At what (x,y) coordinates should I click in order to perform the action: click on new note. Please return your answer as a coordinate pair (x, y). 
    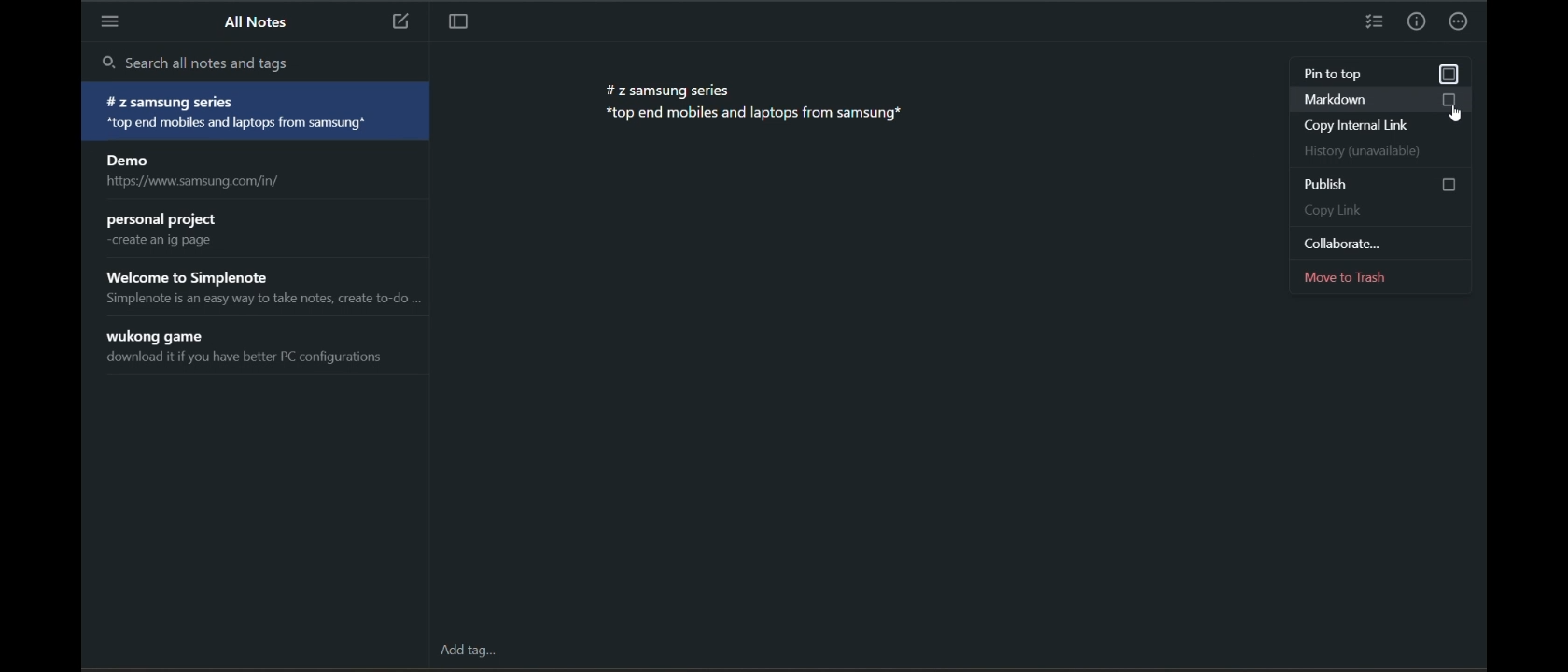
    Looking at the image, I should click on (398, 23).